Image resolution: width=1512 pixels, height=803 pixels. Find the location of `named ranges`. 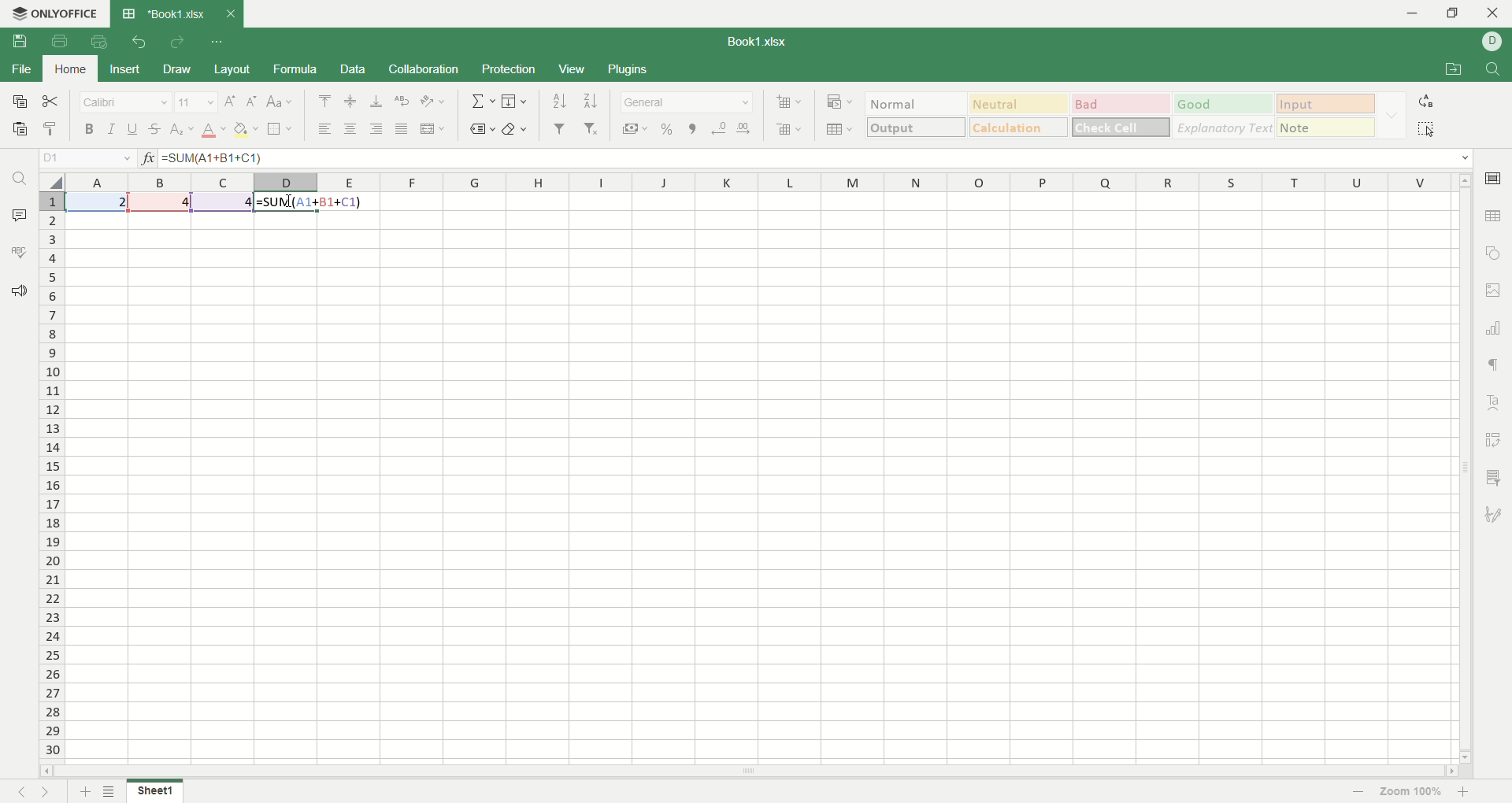

named ranges is located at coordinates (480, 128).